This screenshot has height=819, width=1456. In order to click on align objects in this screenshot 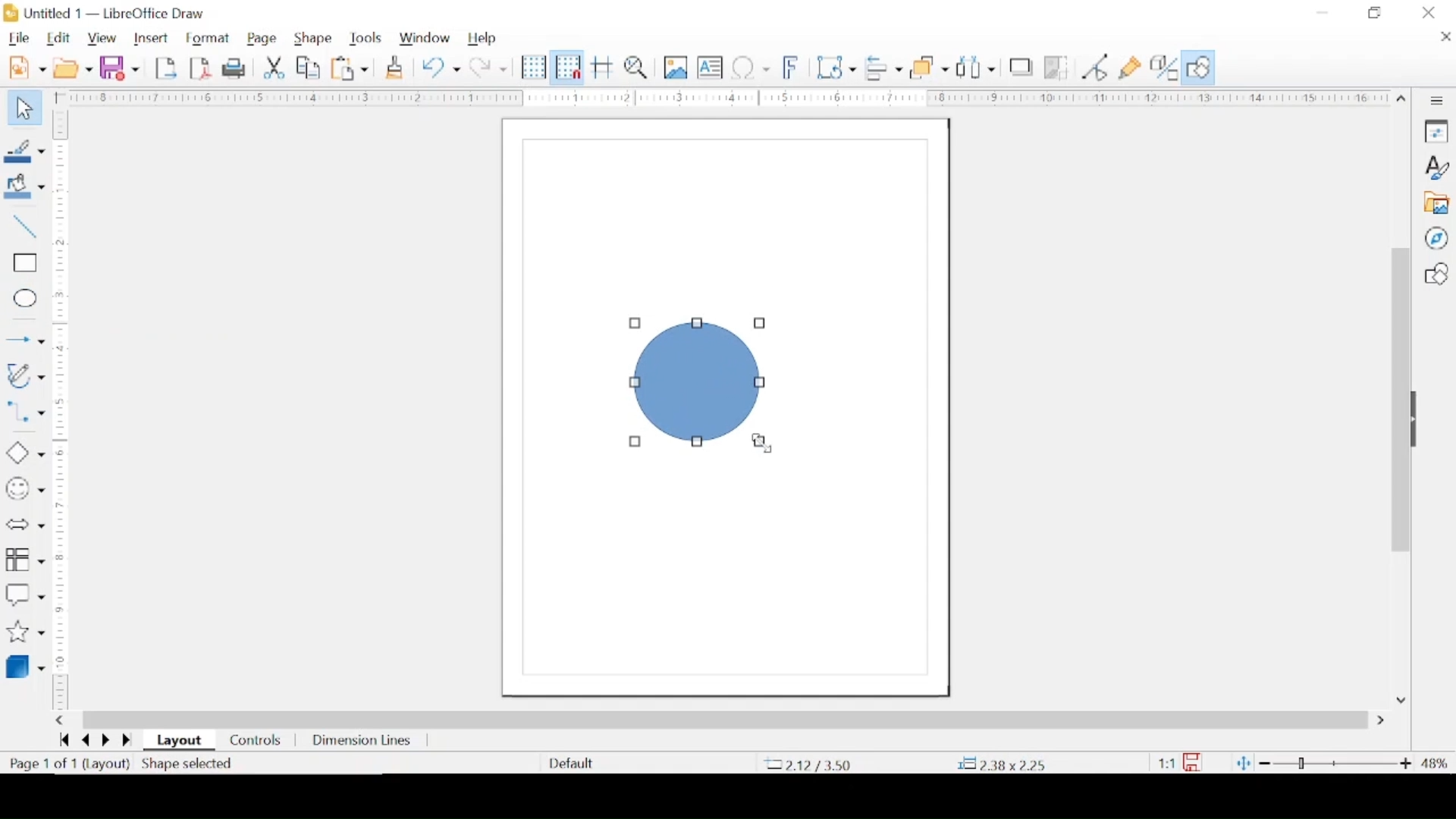, I will do `click(885, 69)`.